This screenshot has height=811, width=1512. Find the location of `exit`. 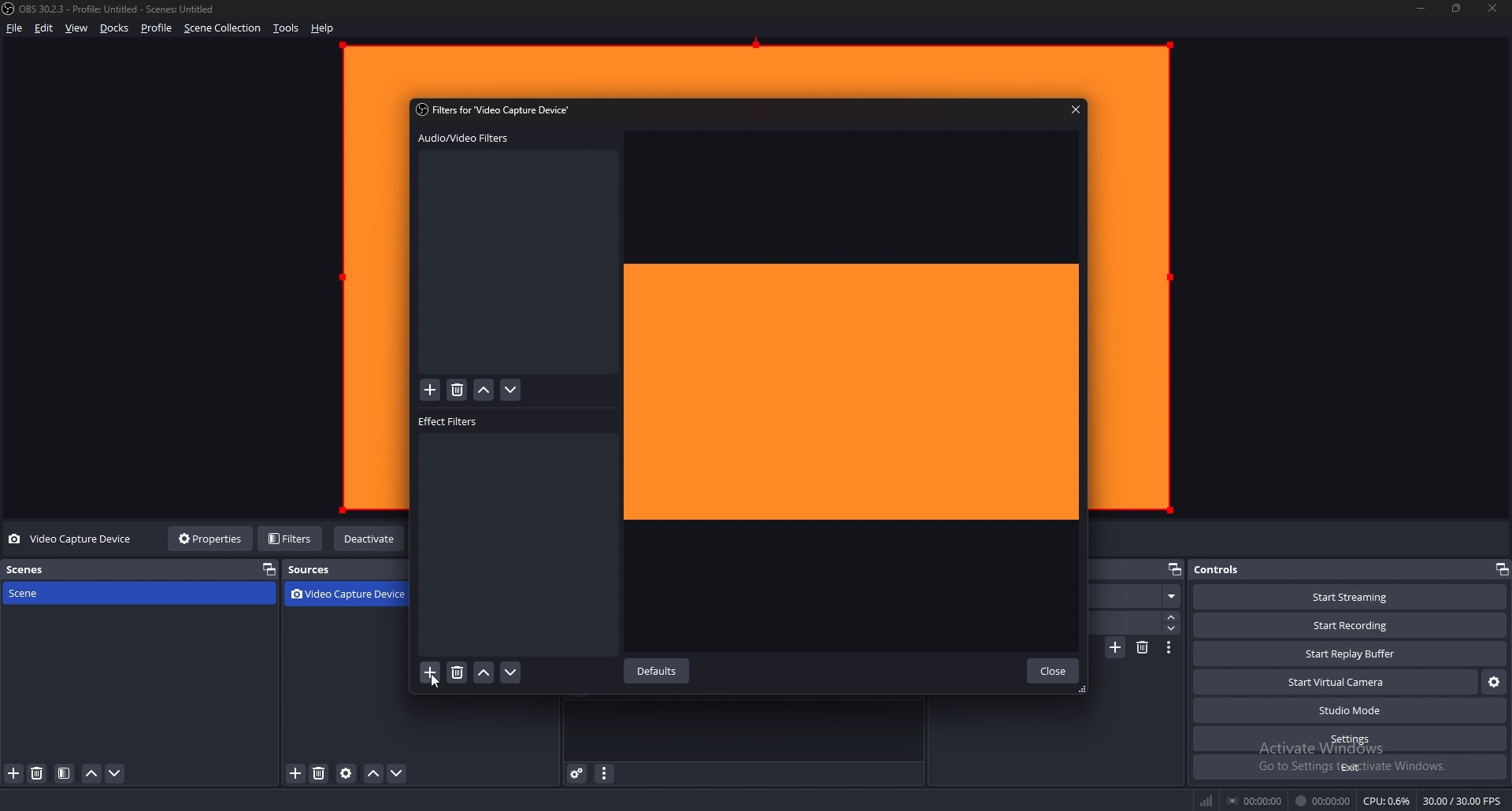

exit is located at coordinates (1349, 767).